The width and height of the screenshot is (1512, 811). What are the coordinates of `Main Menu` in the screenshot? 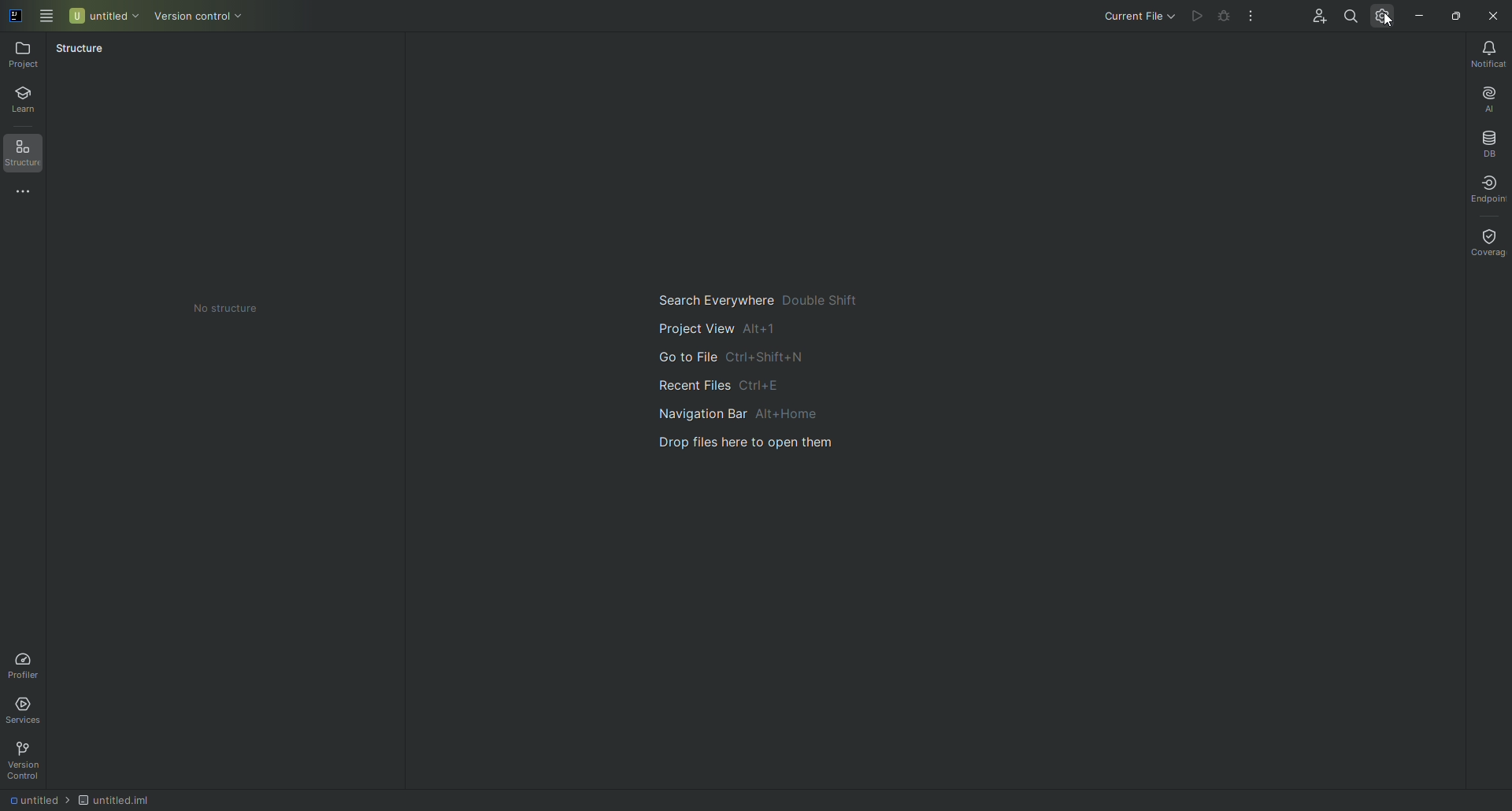 It's located at (48, 18).